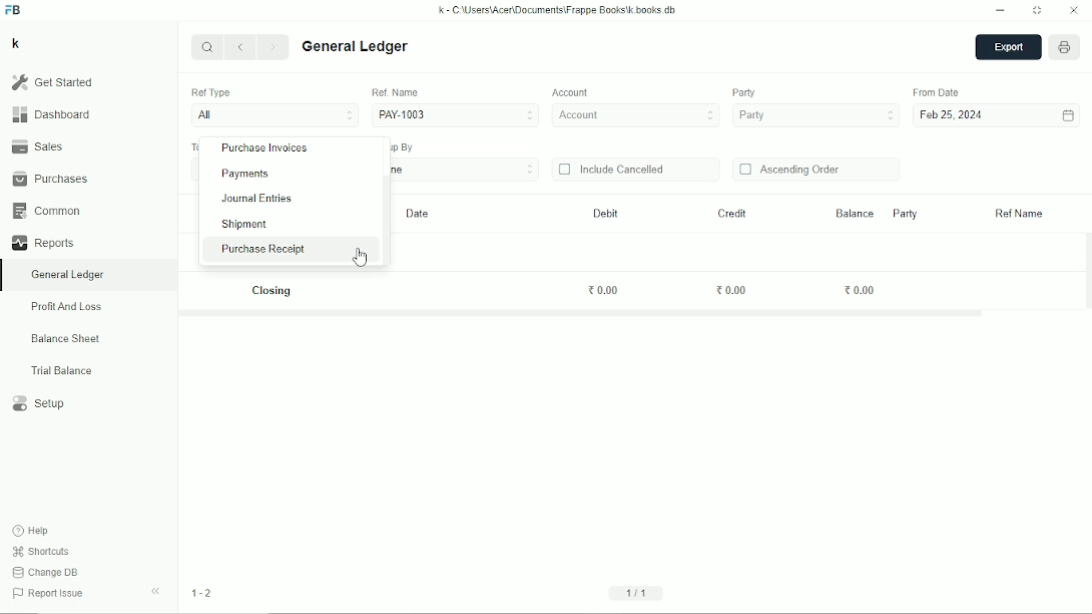 The height and width of the screenshot is (614, 1092). I want to click on Minimize, so click(1001, 11).